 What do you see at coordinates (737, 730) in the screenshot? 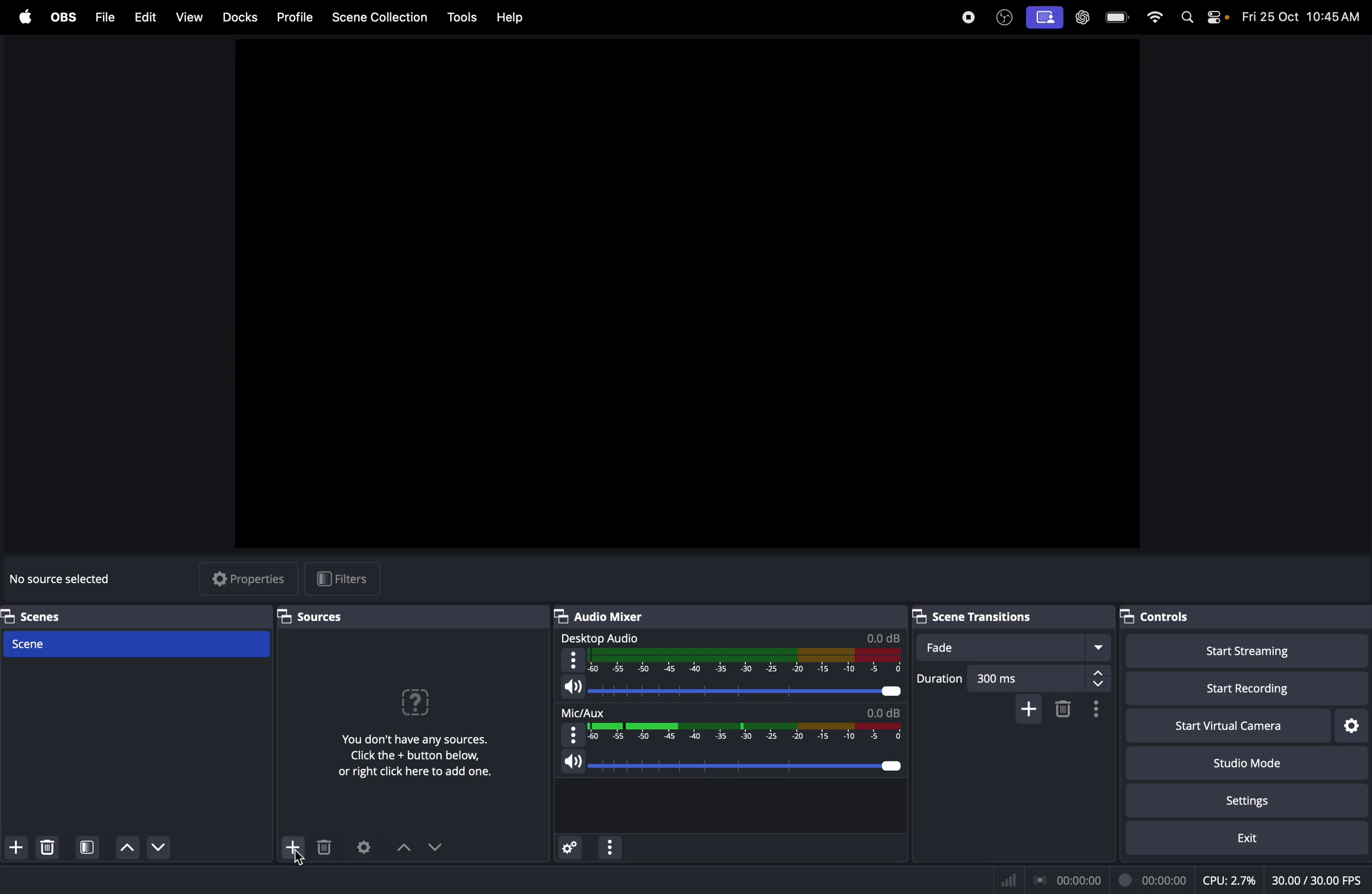
I see `range select` at bounding box center [737, 730].